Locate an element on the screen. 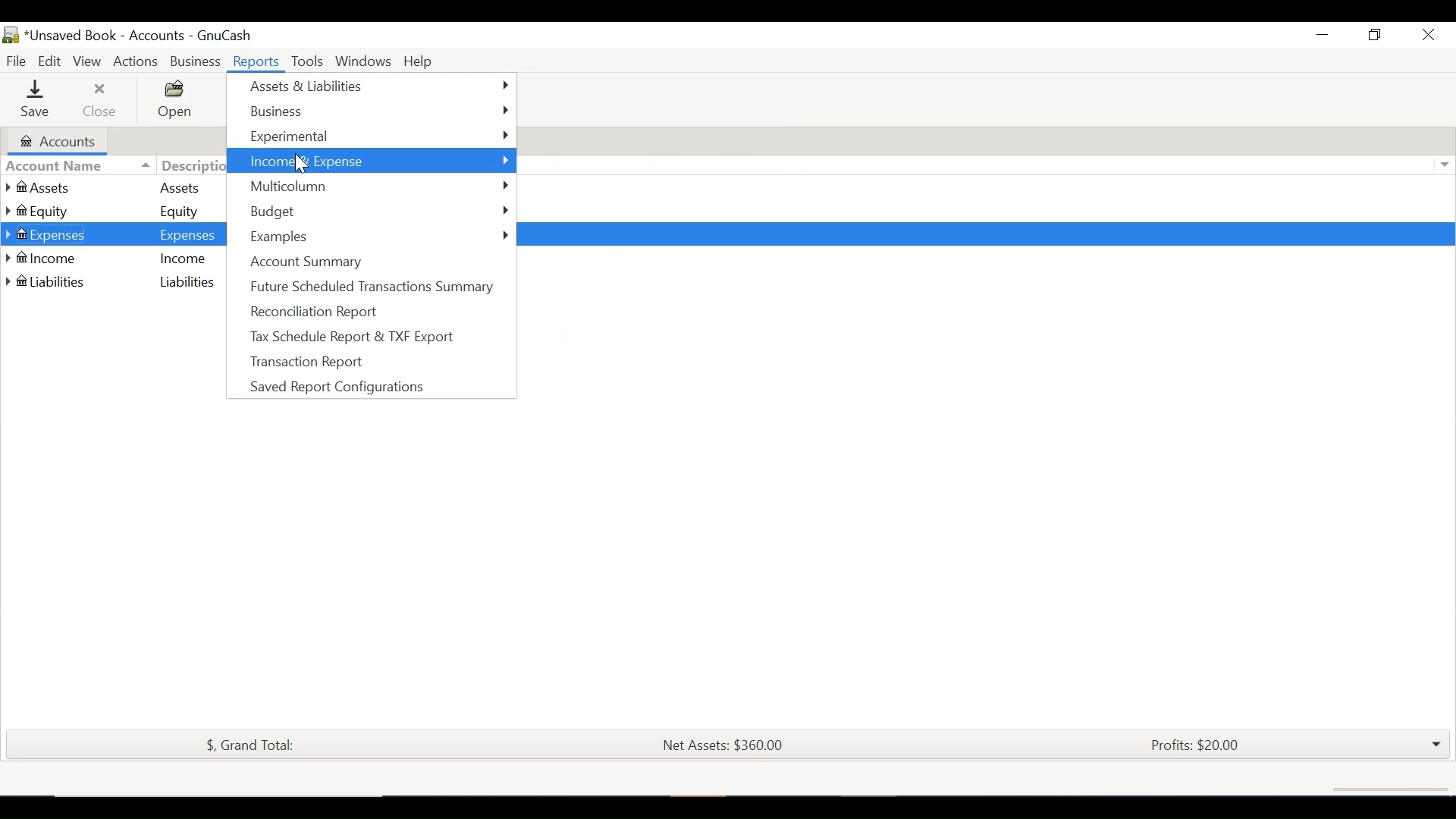  Saved Report Configurations is located at coordinates (331, 384).